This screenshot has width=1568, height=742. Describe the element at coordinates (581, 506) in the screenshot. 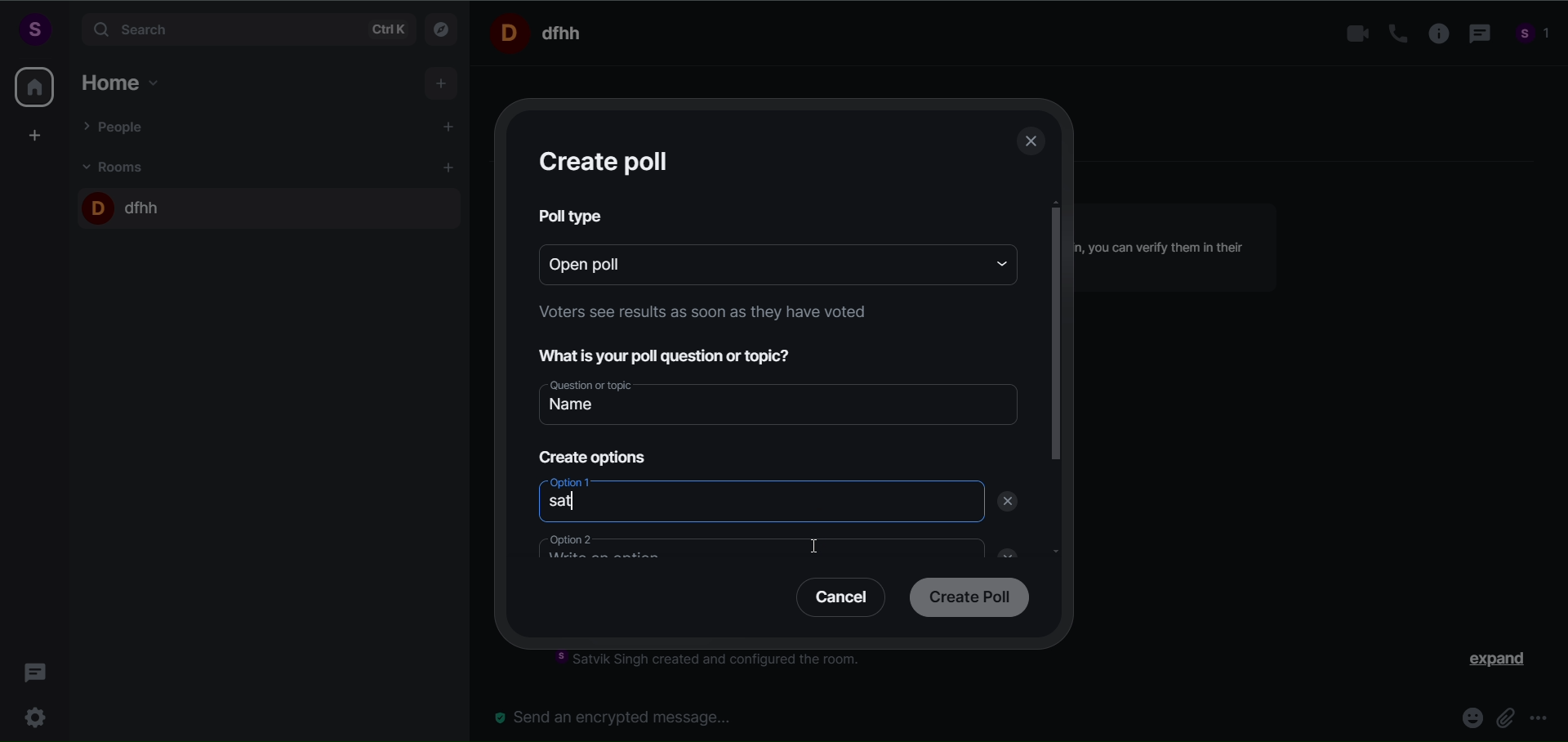

I see `typing cursor` at that location.